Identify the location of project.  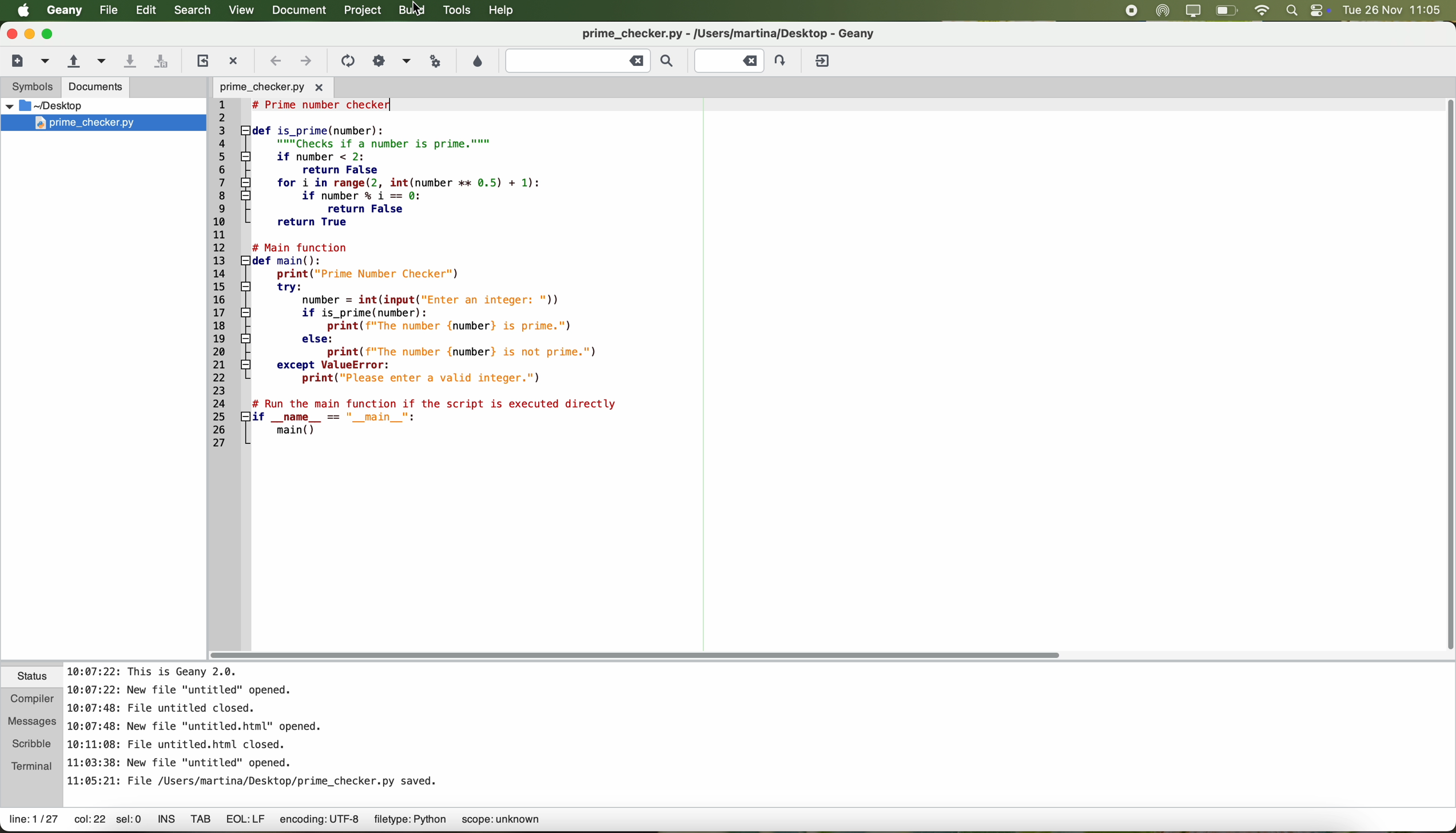
(365, 11).